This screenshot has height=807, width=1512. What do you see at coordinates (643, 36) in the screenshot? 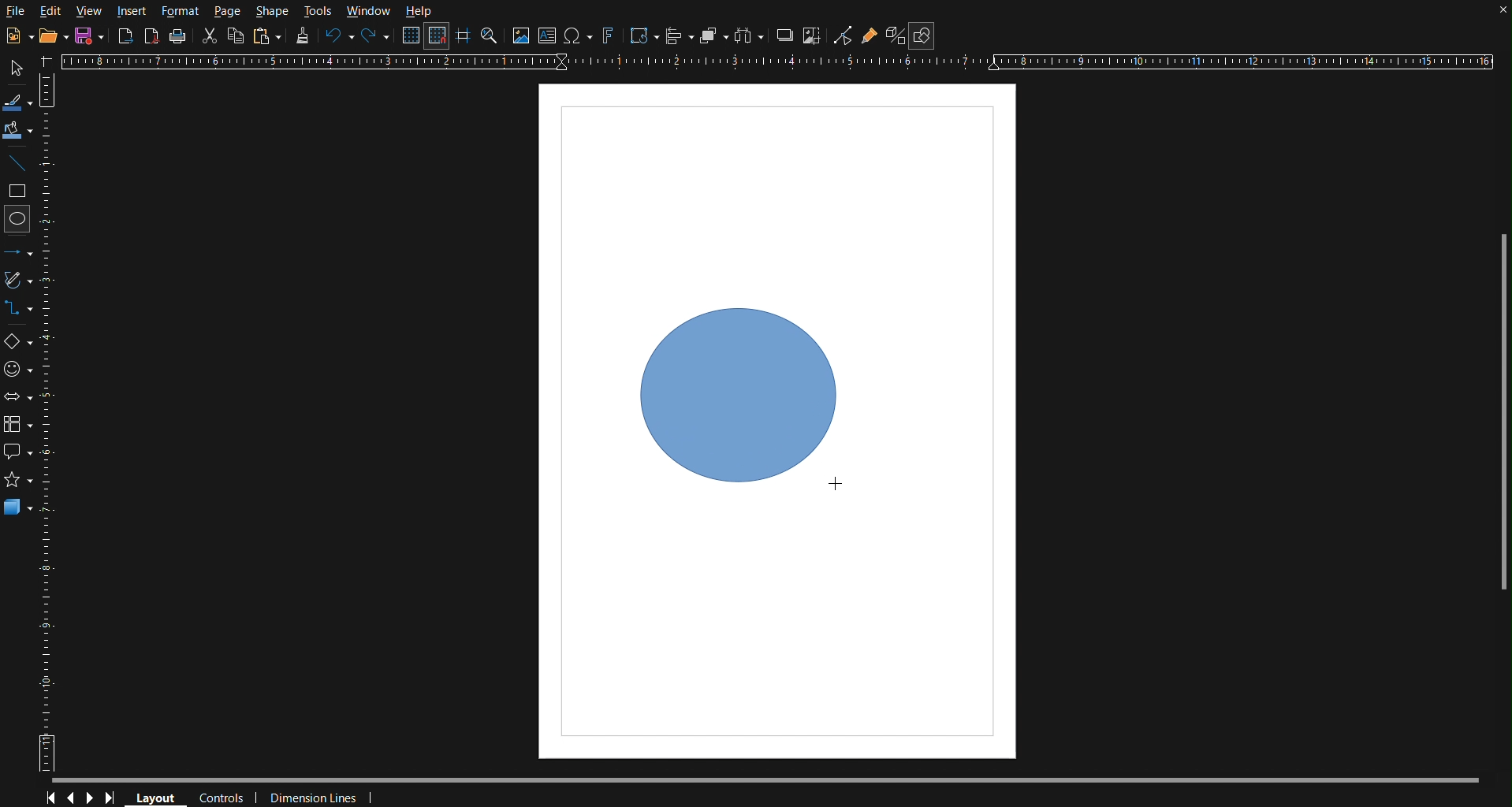
I see `Transformation` at bounding box center [643, 36].